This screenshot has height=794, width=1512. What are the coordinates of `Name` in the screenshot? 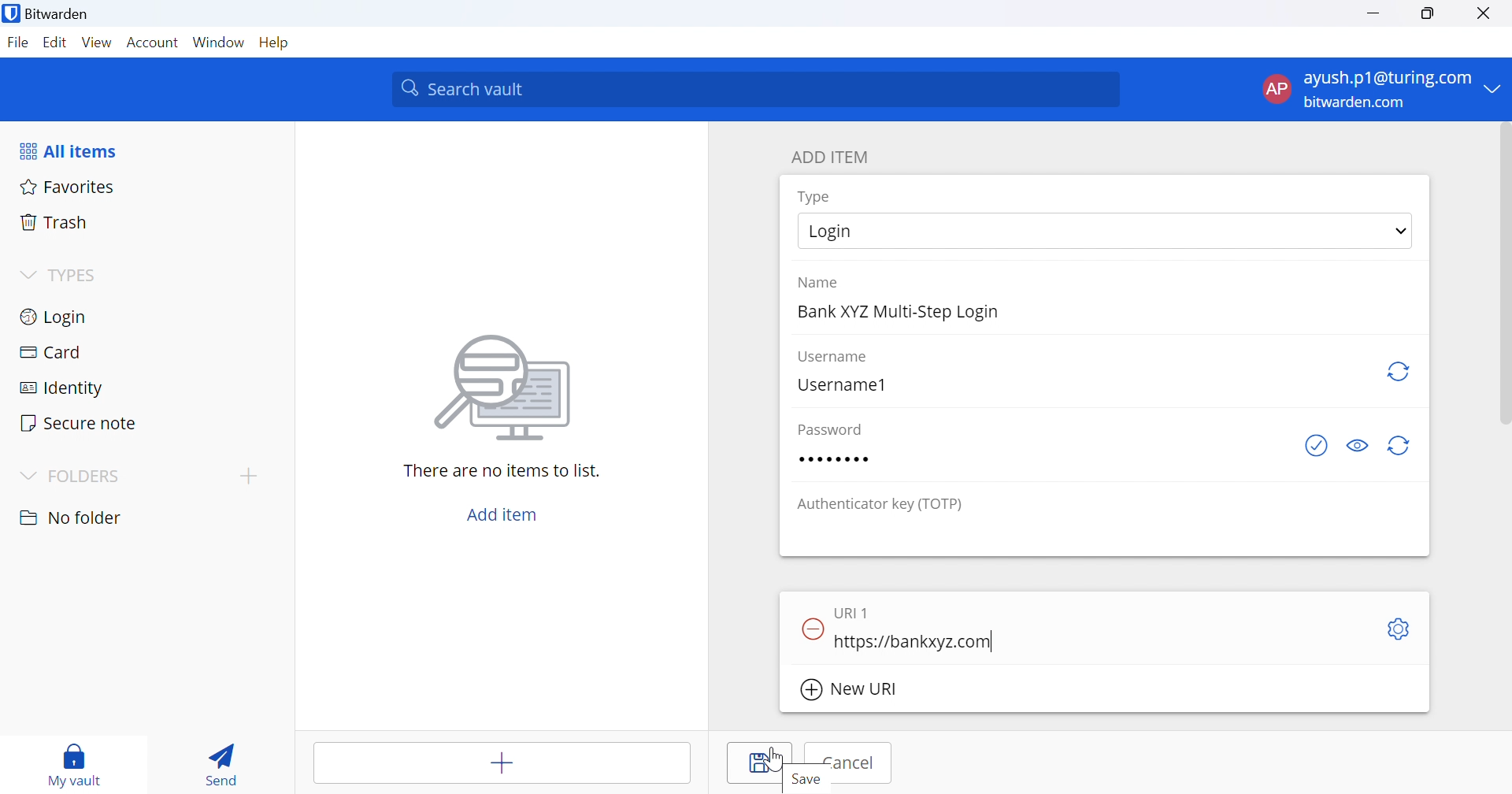 It's located at (821, 283).